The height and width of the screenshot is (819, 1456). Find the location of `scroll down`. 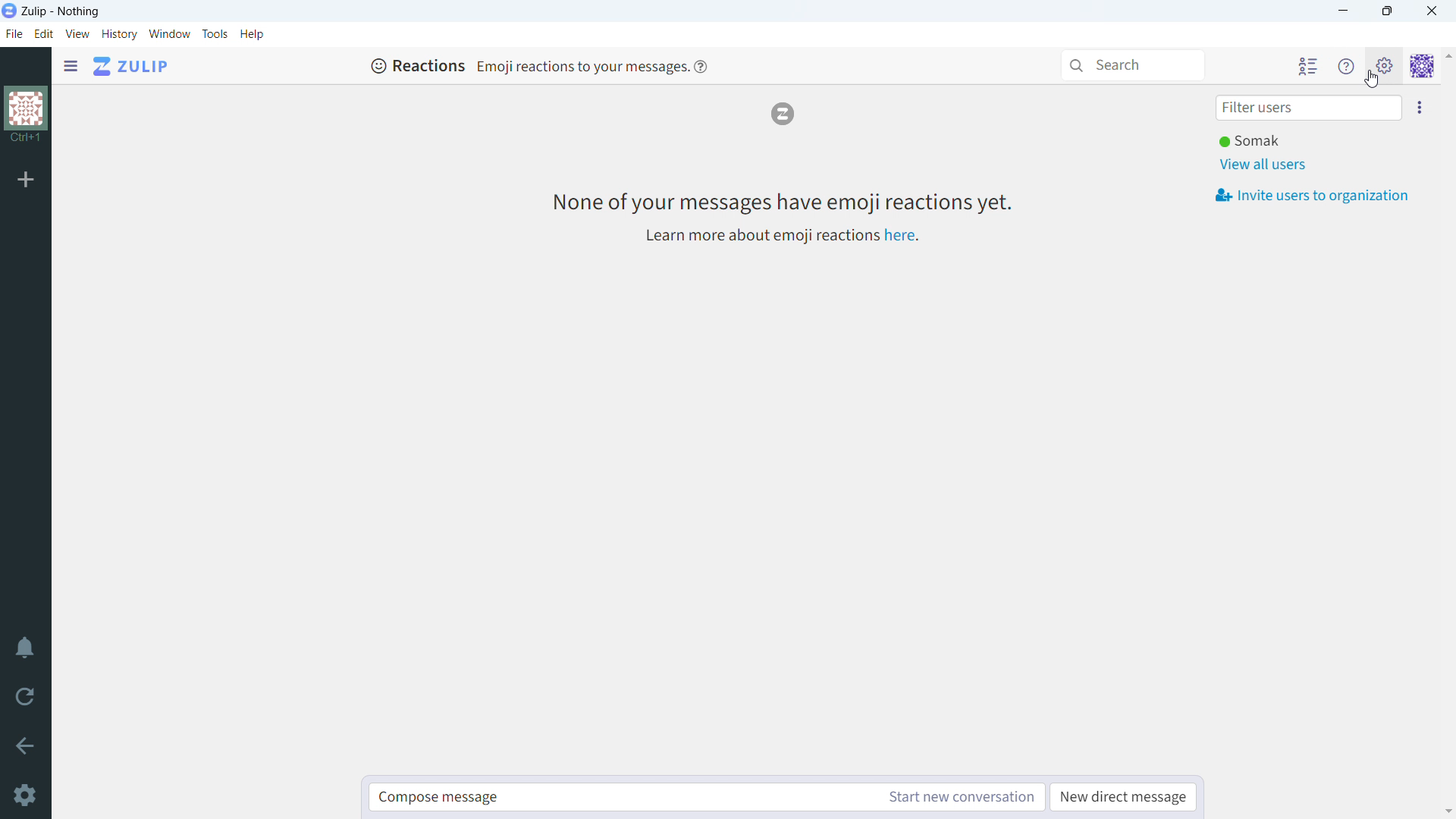

scroll down is located at coordinates (1447, 811).